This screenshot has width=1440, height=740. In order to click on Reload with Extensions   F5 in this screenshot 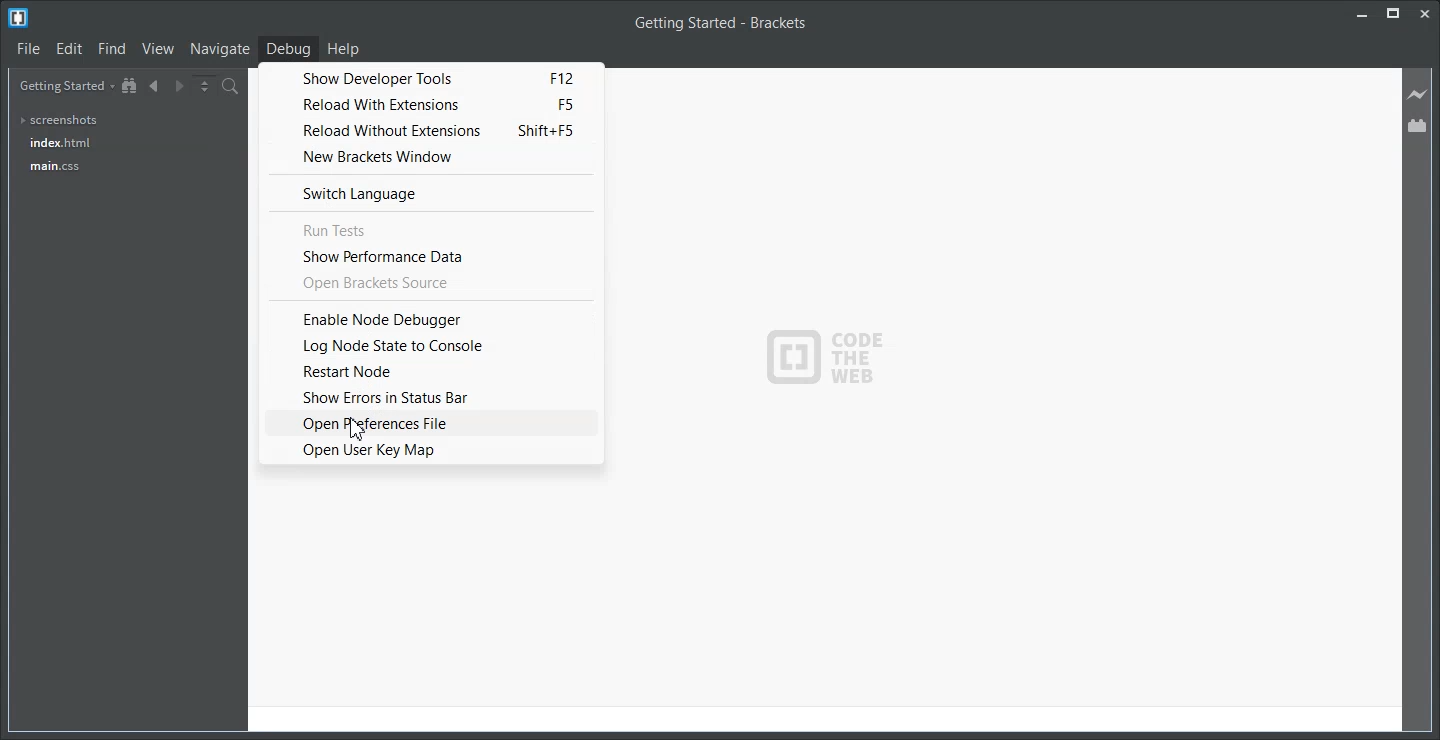, I will do `click(431, 103)`.